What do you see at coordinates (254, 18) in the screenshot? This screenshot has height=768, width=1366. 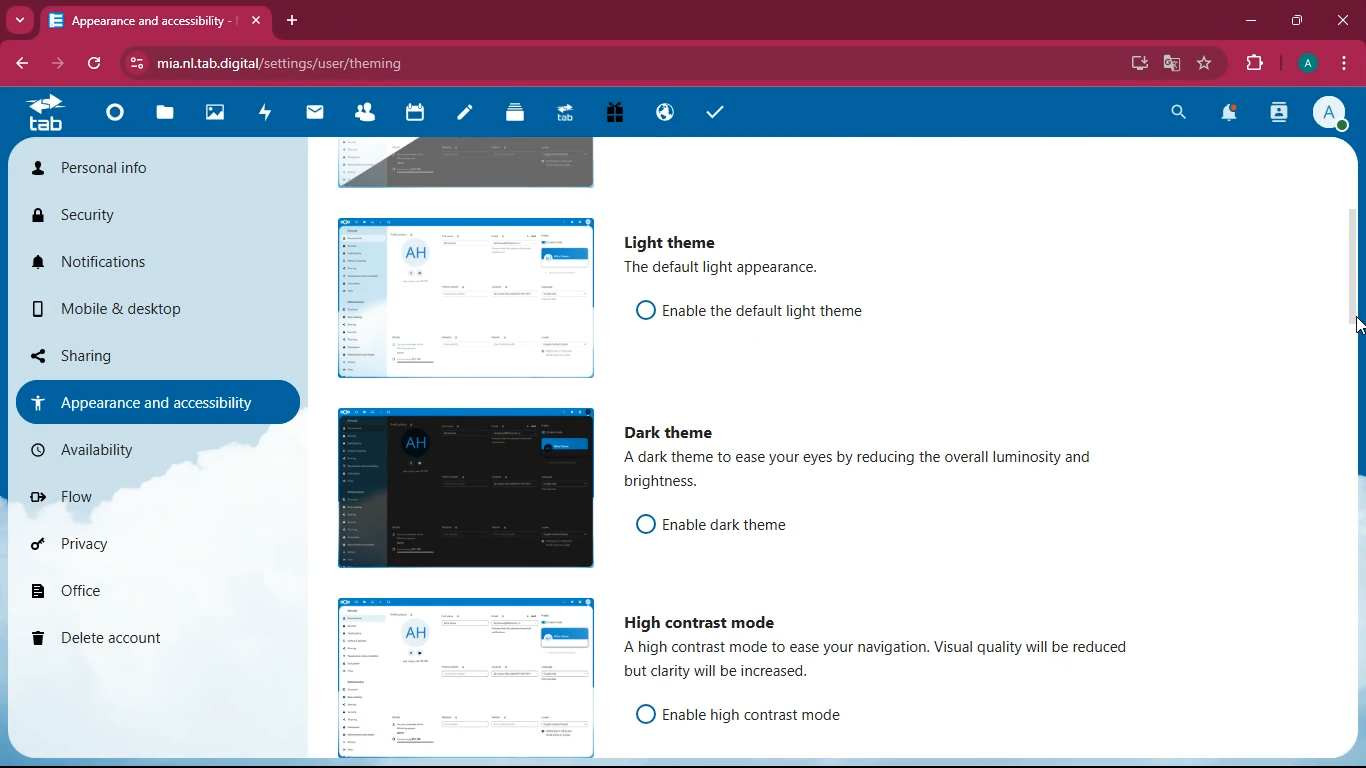 I see `close` at bounding box center [254, 18].